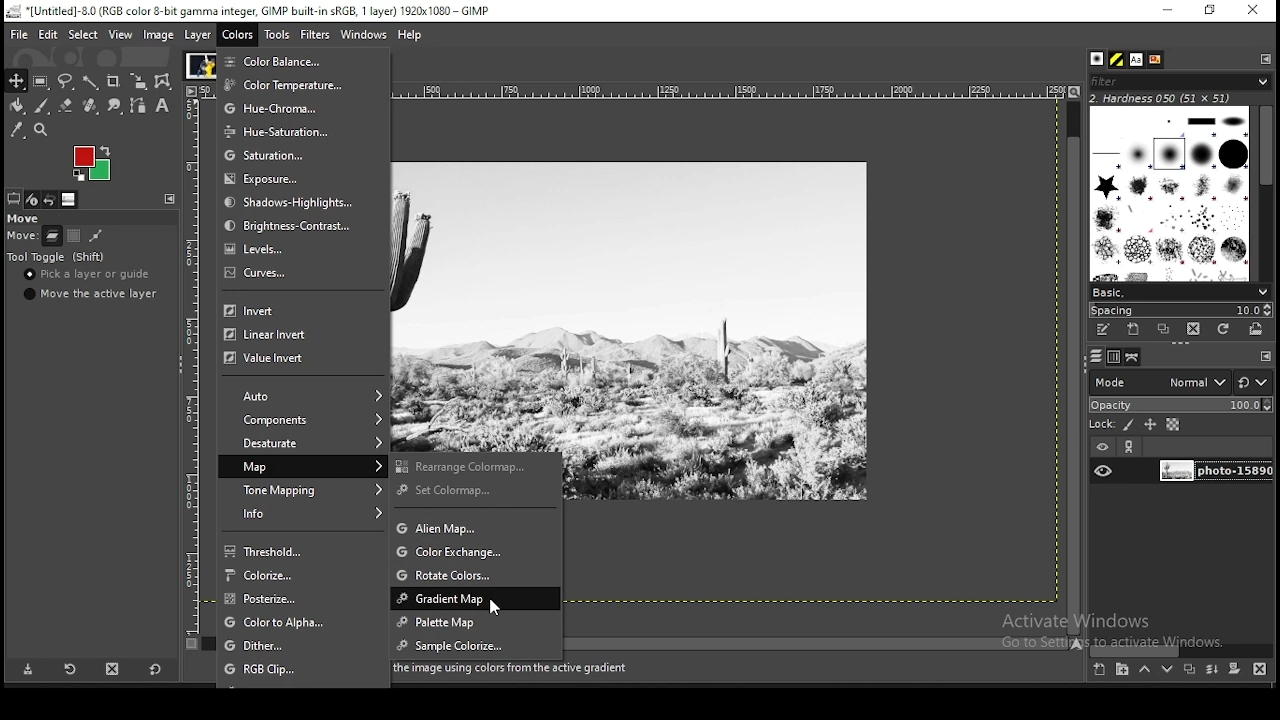  What do you see at coordinates (1134, 357) in the screenshot?
I see `paths` at bounding box center [1134, 357].